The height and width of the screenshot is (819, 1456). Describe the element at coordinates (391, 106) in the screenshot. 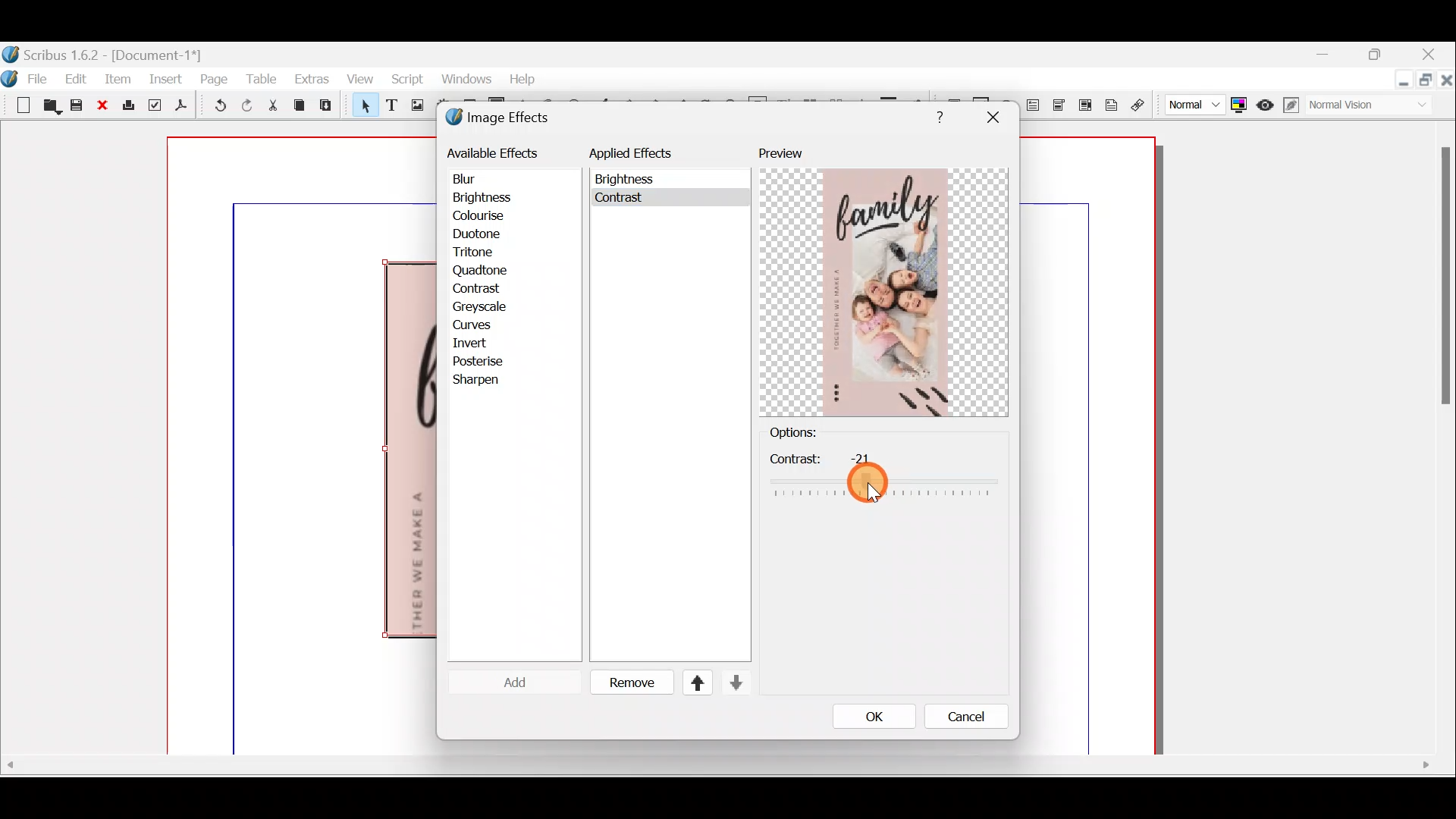

I see `Text frame` at that location.